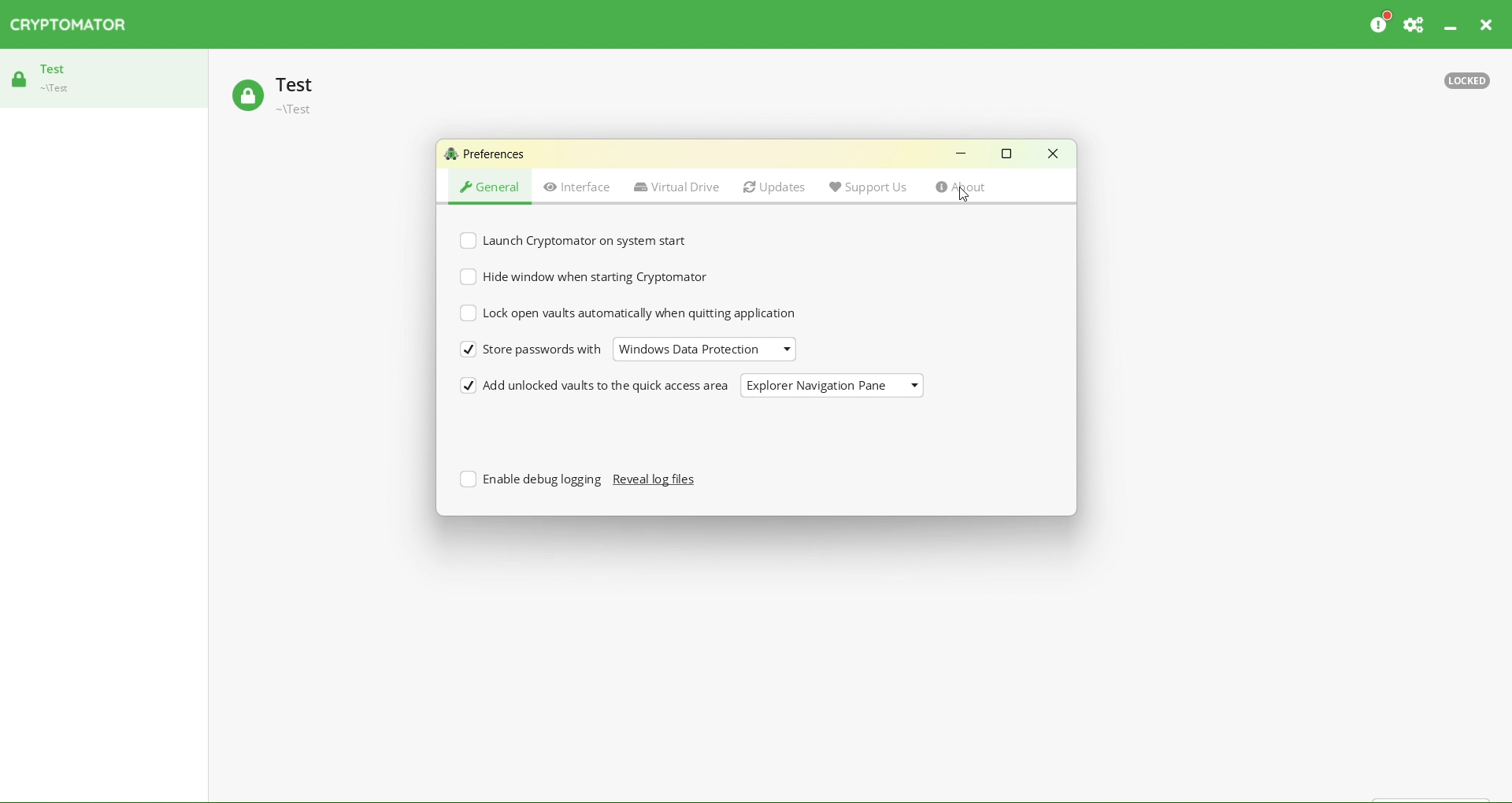 Image resolution: width=1512 pixels, height=803 pixels. Describe the element at coordinates (628, 312) in the screenshot. I see `Lock open vaults automatically when quitting application` at that location.